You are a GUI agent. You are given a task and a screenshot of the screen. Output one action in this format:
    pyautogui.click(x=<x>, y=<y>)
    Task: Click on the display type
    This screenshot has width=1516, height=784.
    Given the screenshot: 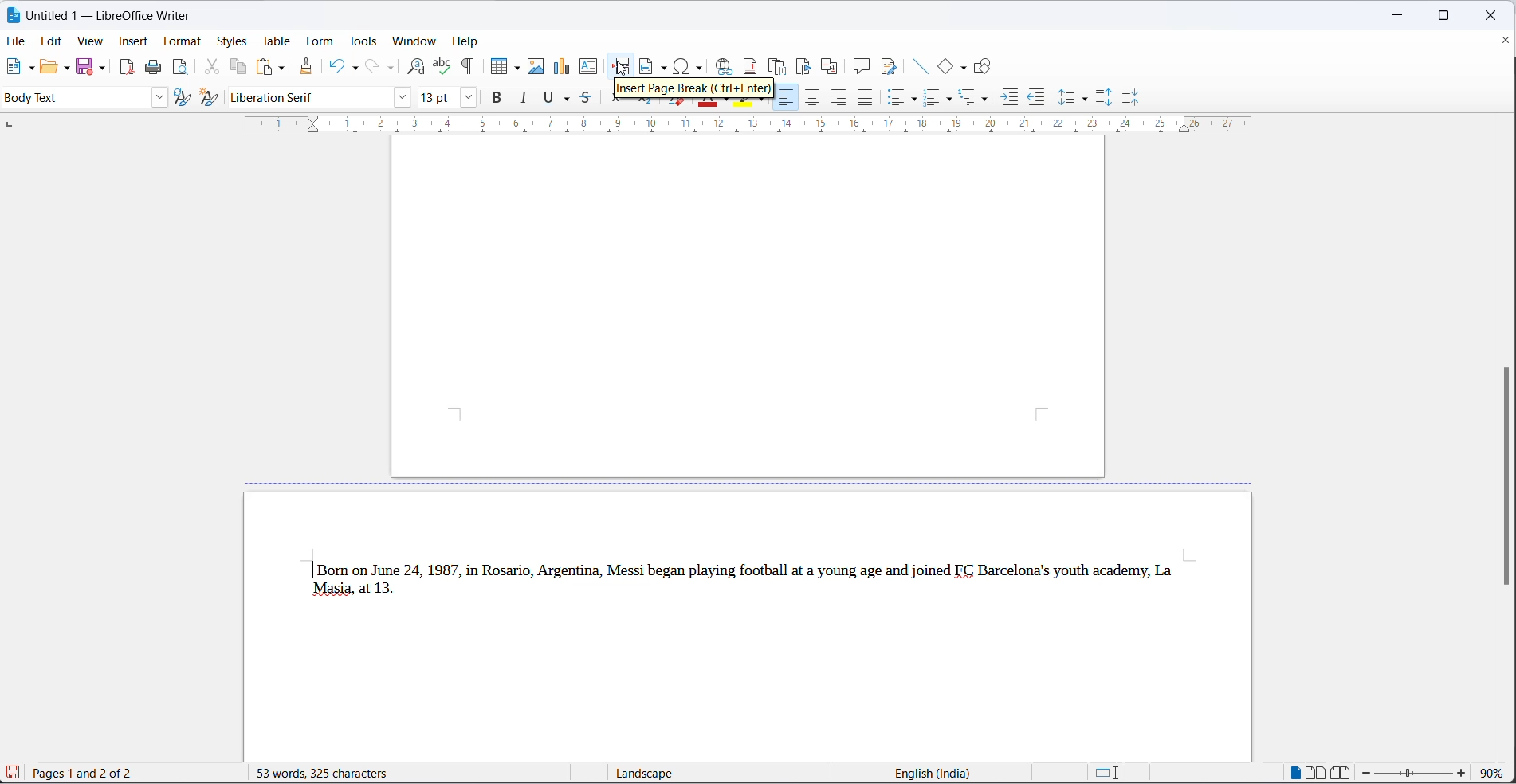 What is the action you would take?
    pyautogui.click(x=681, y=774)
    